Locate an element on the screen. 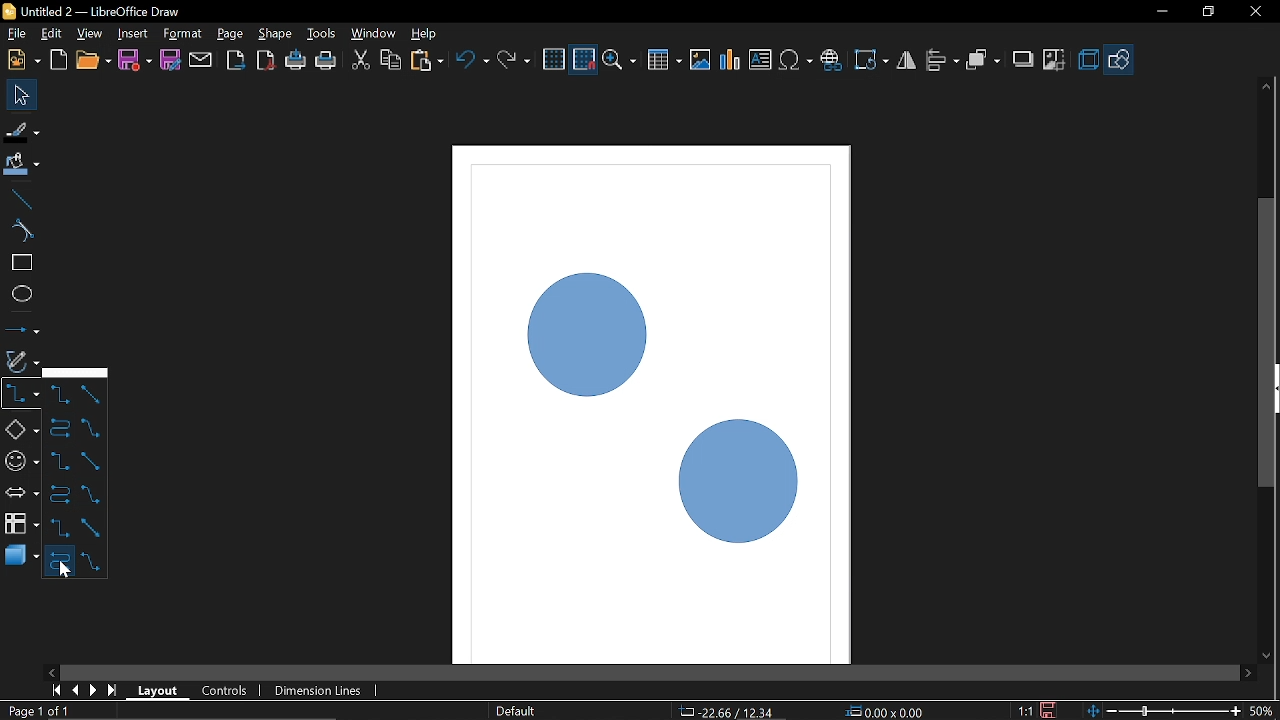 The image size is (1280, 720). Rotate is located at coordinates (872, 58).